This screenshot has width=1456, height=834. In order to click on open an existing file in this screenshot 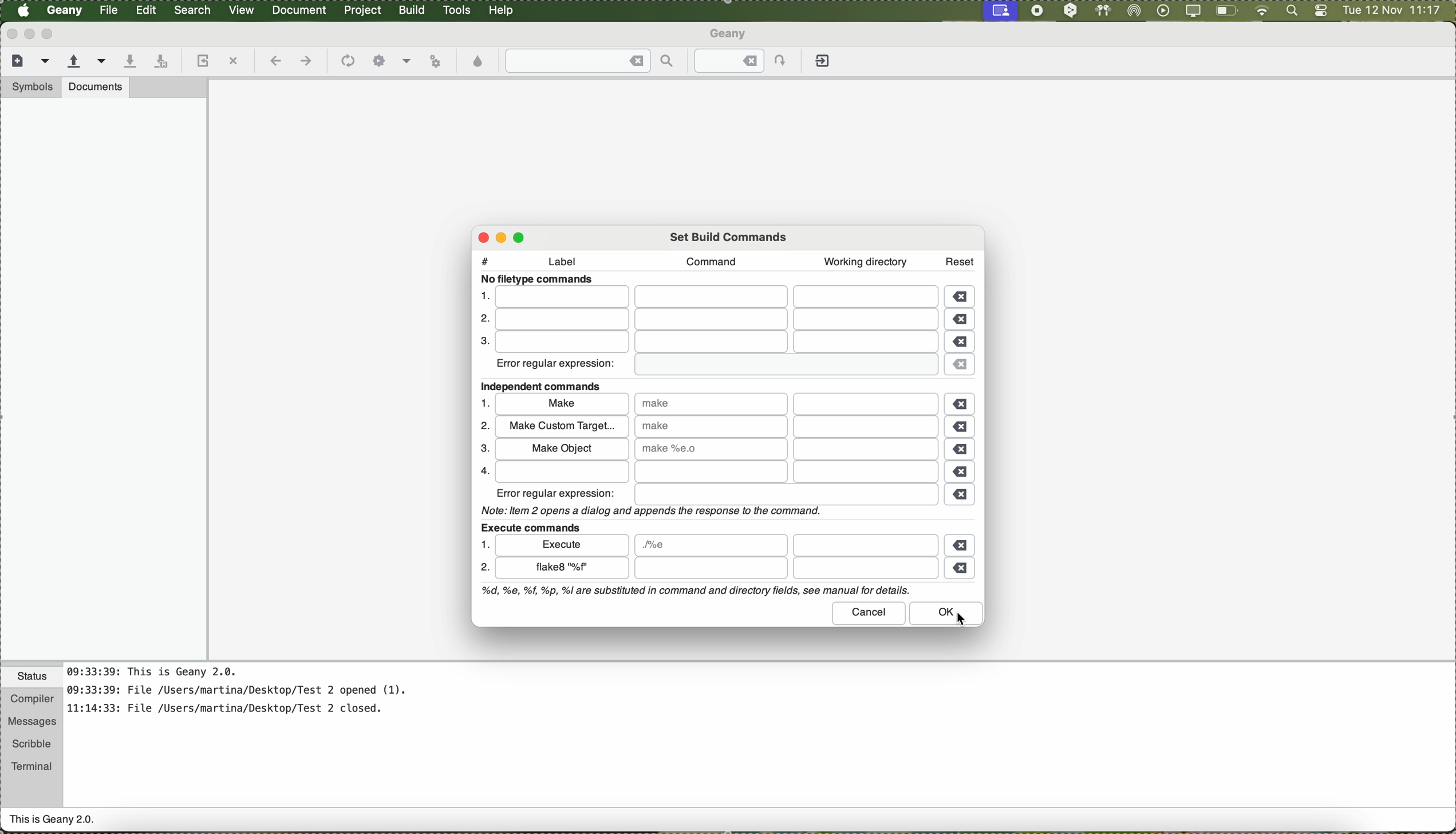, I will do `click(74, 62)`.